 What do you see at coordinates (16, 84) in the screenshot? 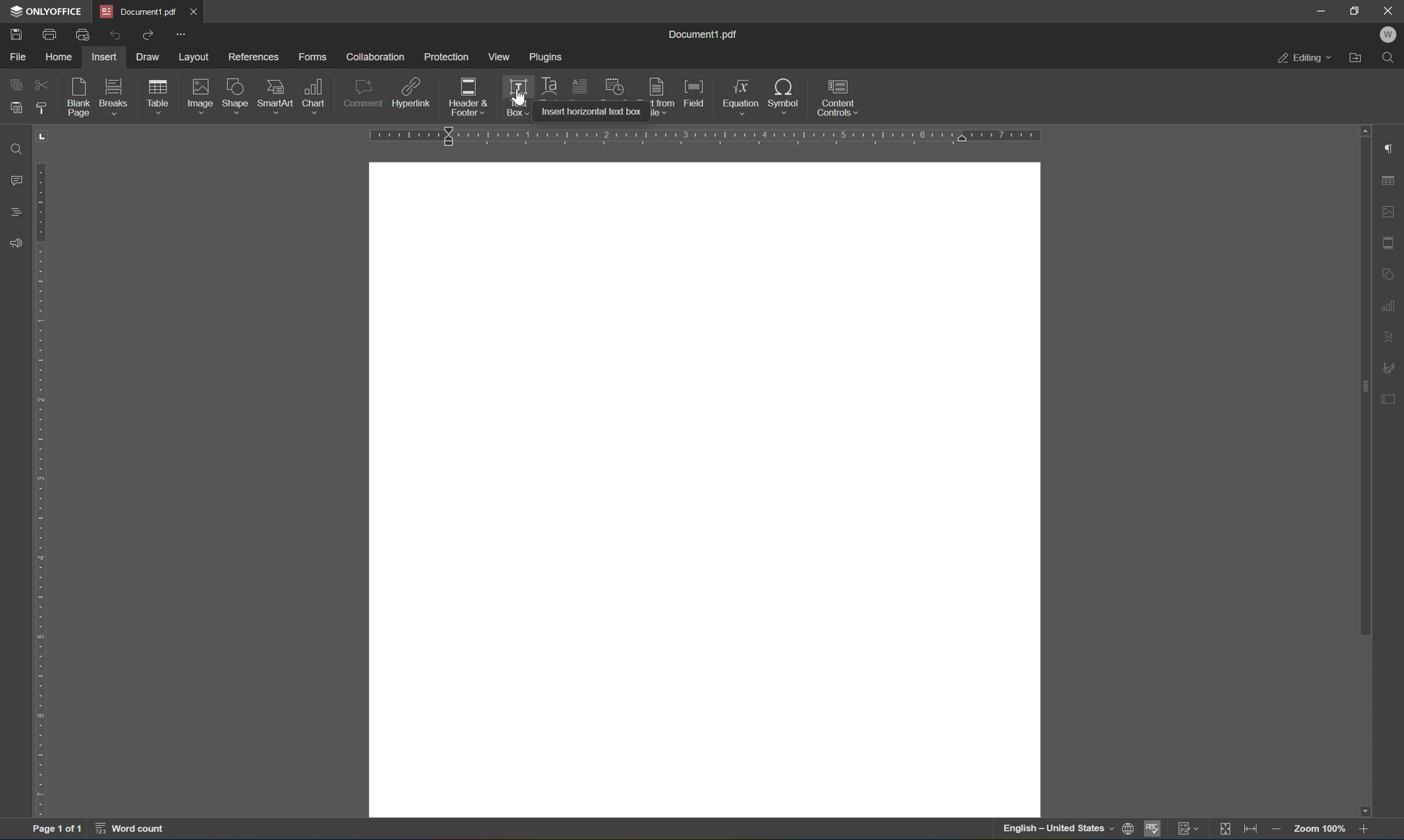
I see `copy` at bounding box center [16, 84].